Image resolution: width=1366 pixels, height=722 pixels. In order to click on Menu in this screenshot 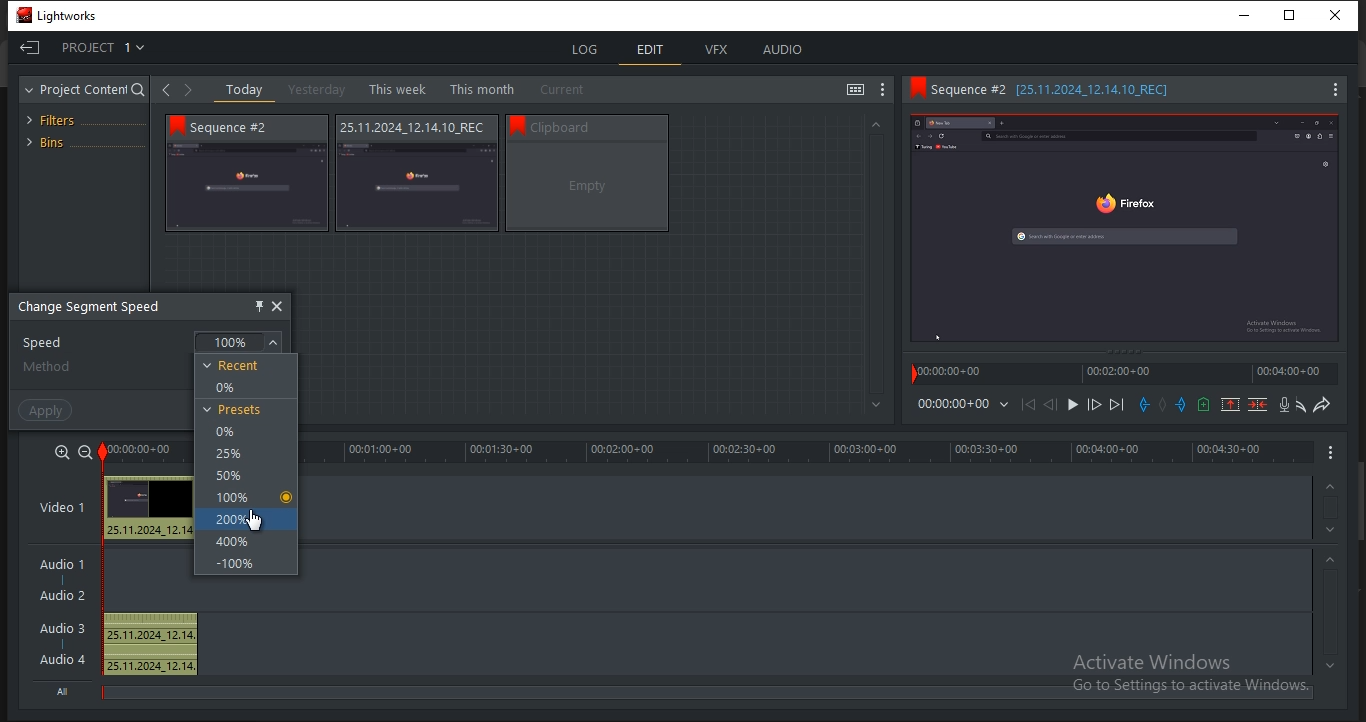, I will do `click(1329, 89)`.